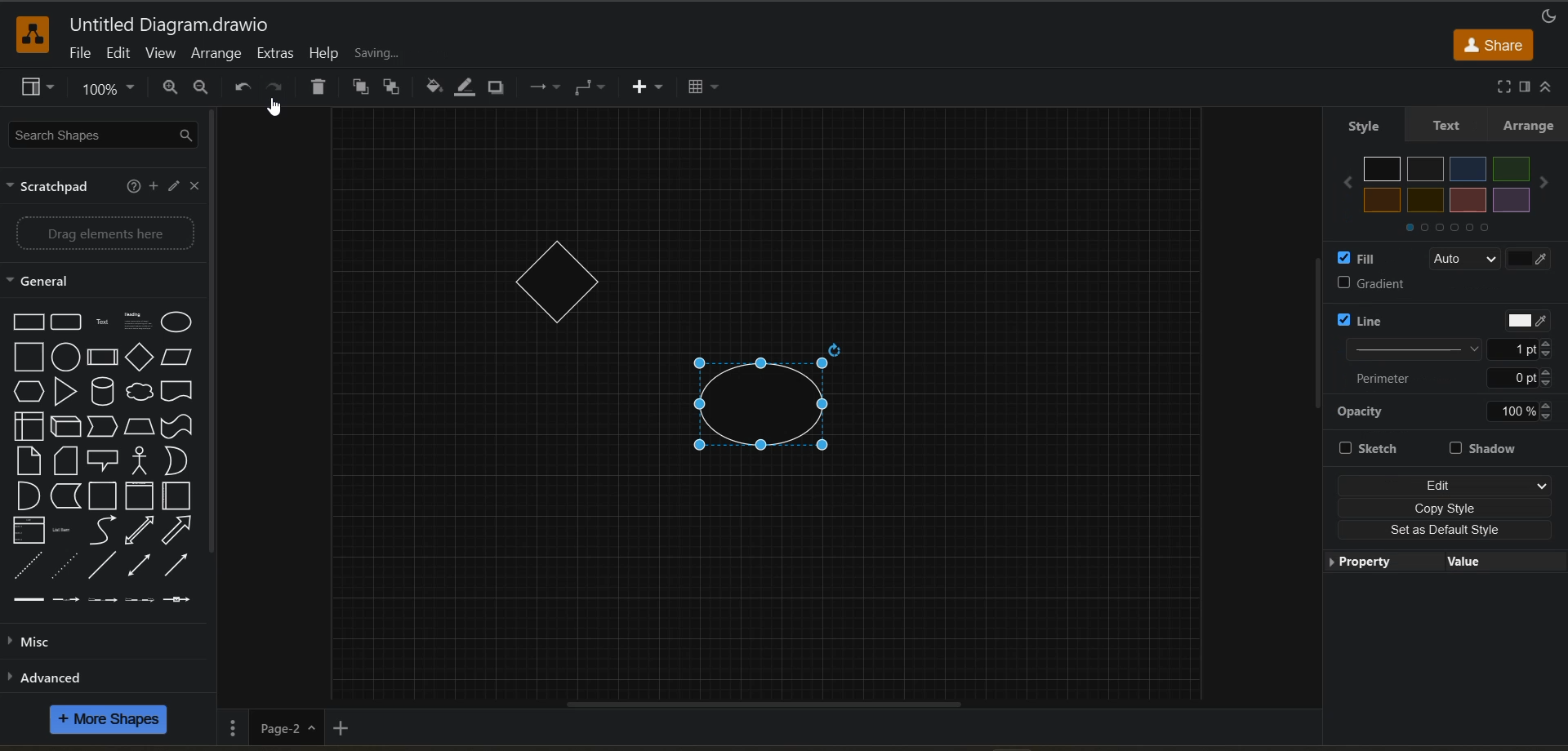 This screenshot has height=751, width=1568. What do you see at coordinates (177, 391) in the screenshot?
I see `document` at bounding box center [177, 391].